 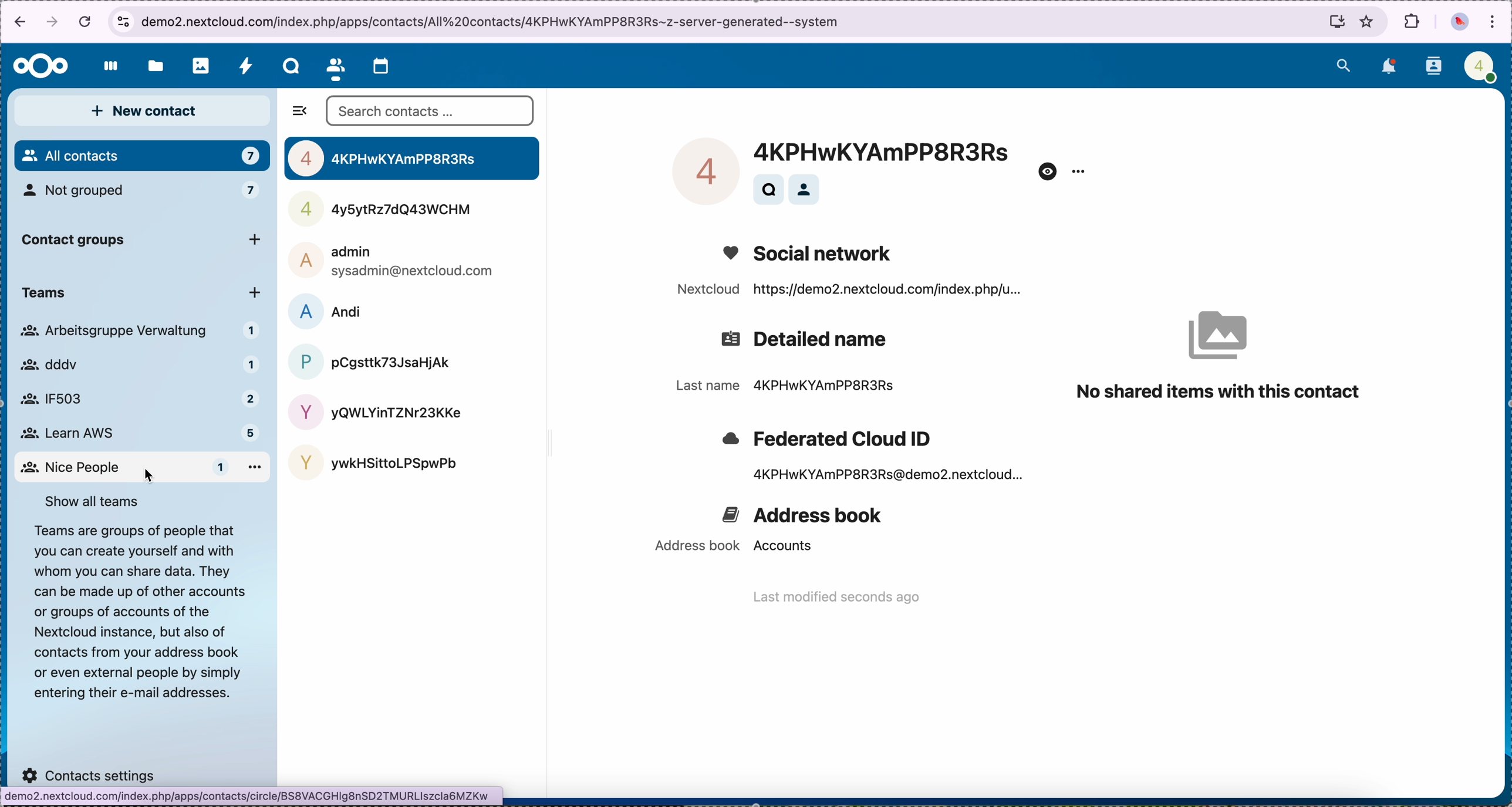 What do you see at coordinates (376, 410) in the screenshot?
I see `user` at bounding box center [376, 410].